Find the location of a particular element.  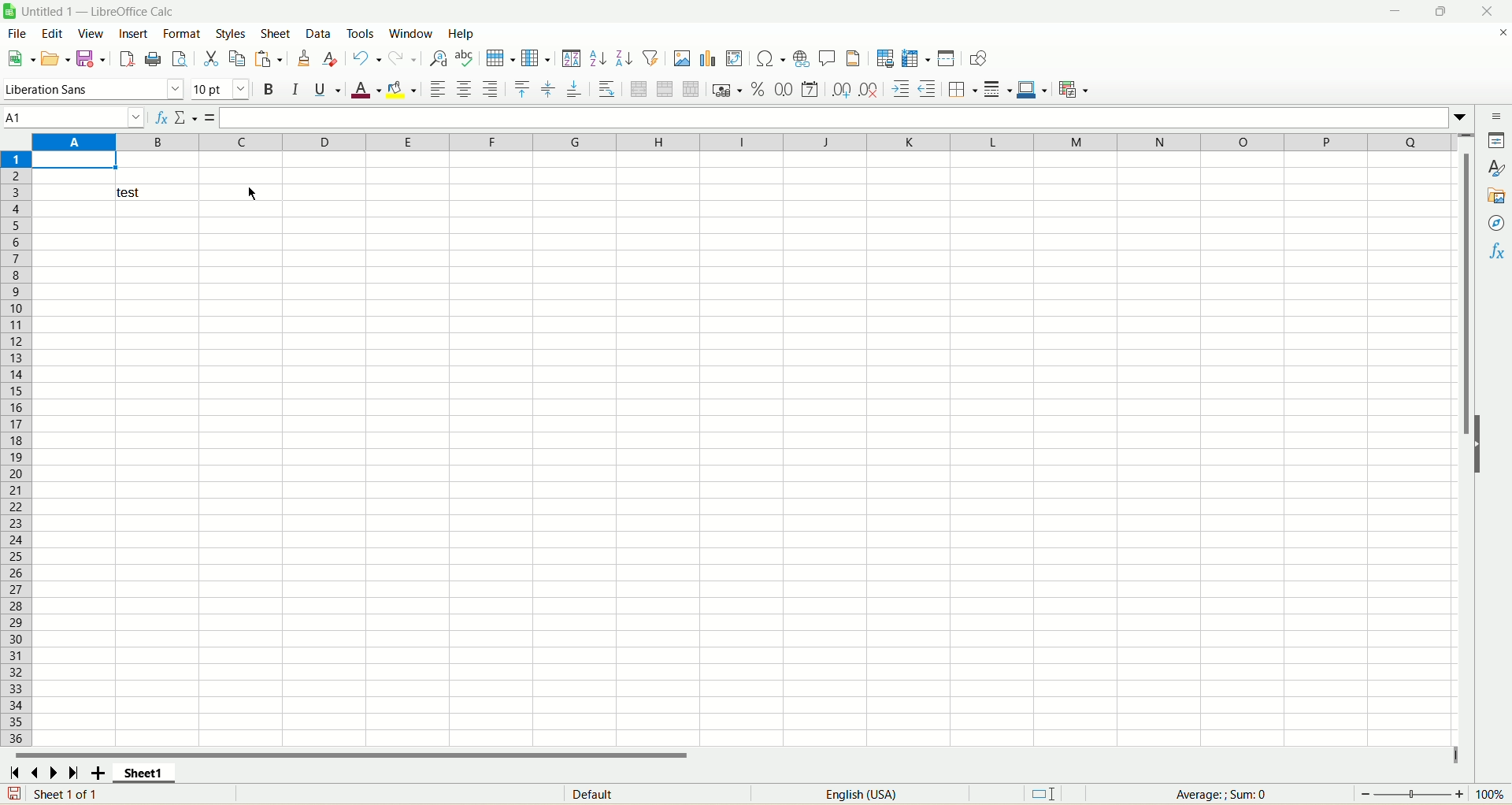

font name is located at coordinates (94, 90).